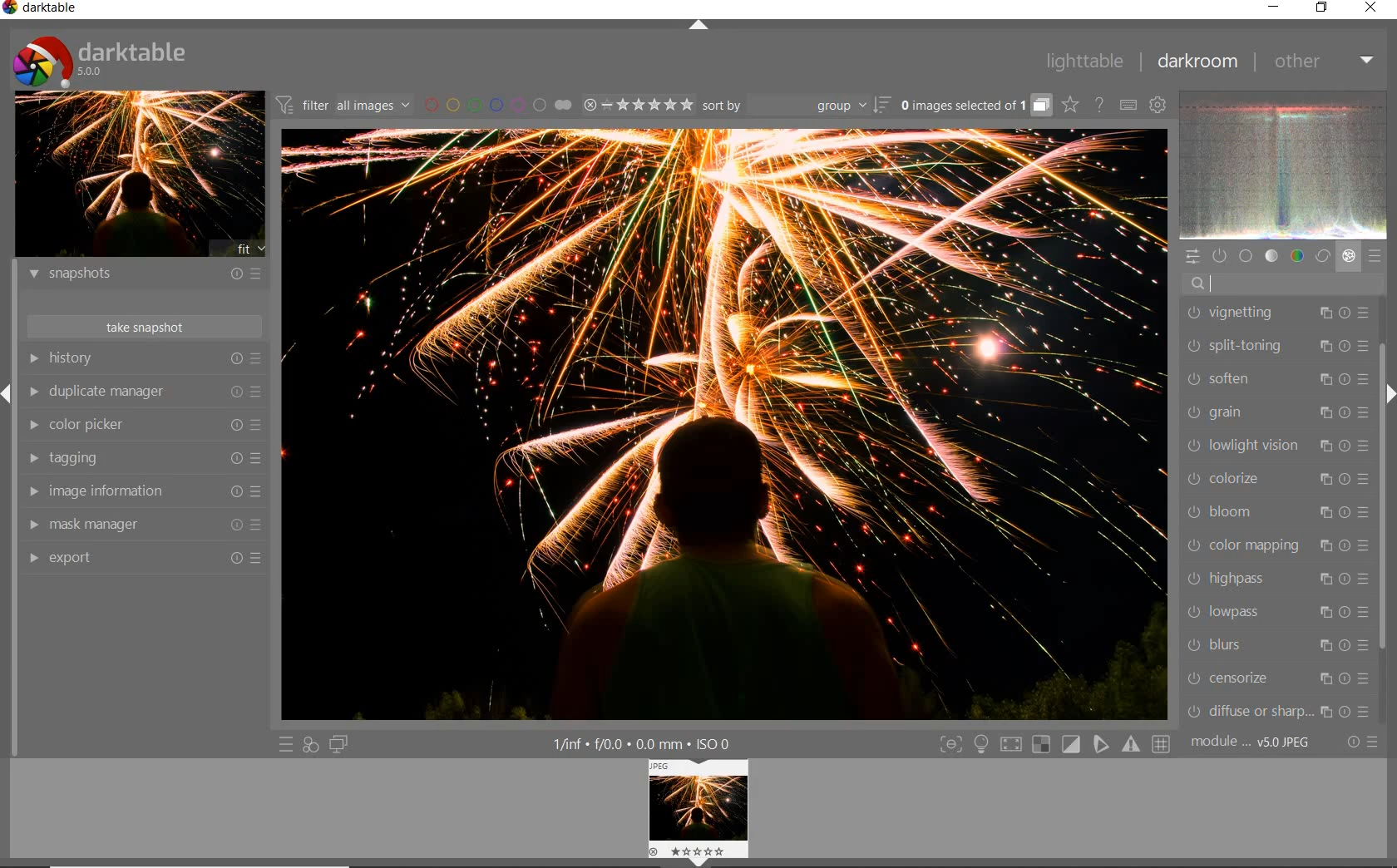 Image resolution: width=1397 pixels, height=868 pixels. I want to click on reset or presets and preferences, so click(1365, 743).